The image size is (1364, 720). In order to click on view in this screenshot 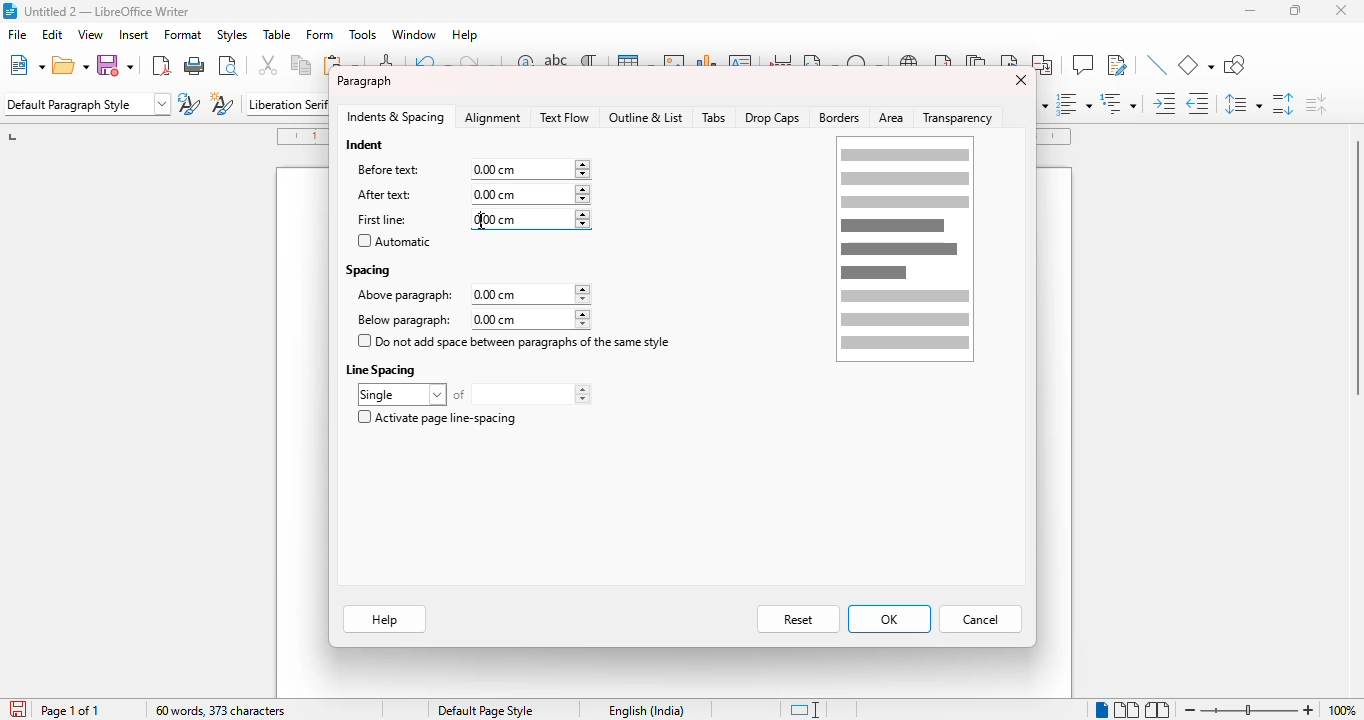, I will do `click(90, 34)`.